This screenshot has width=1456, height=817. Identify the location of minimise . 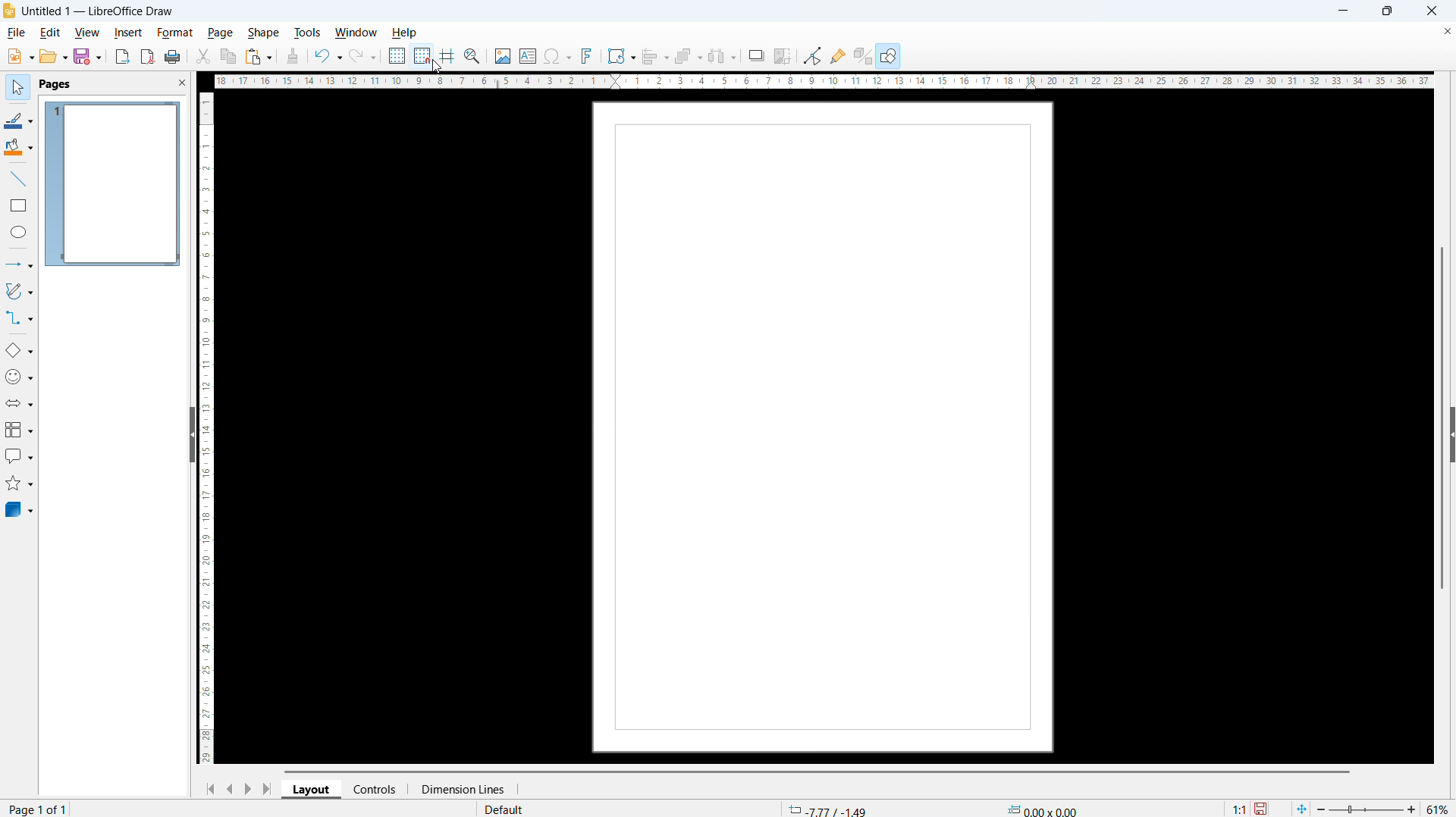
(1344, 11).